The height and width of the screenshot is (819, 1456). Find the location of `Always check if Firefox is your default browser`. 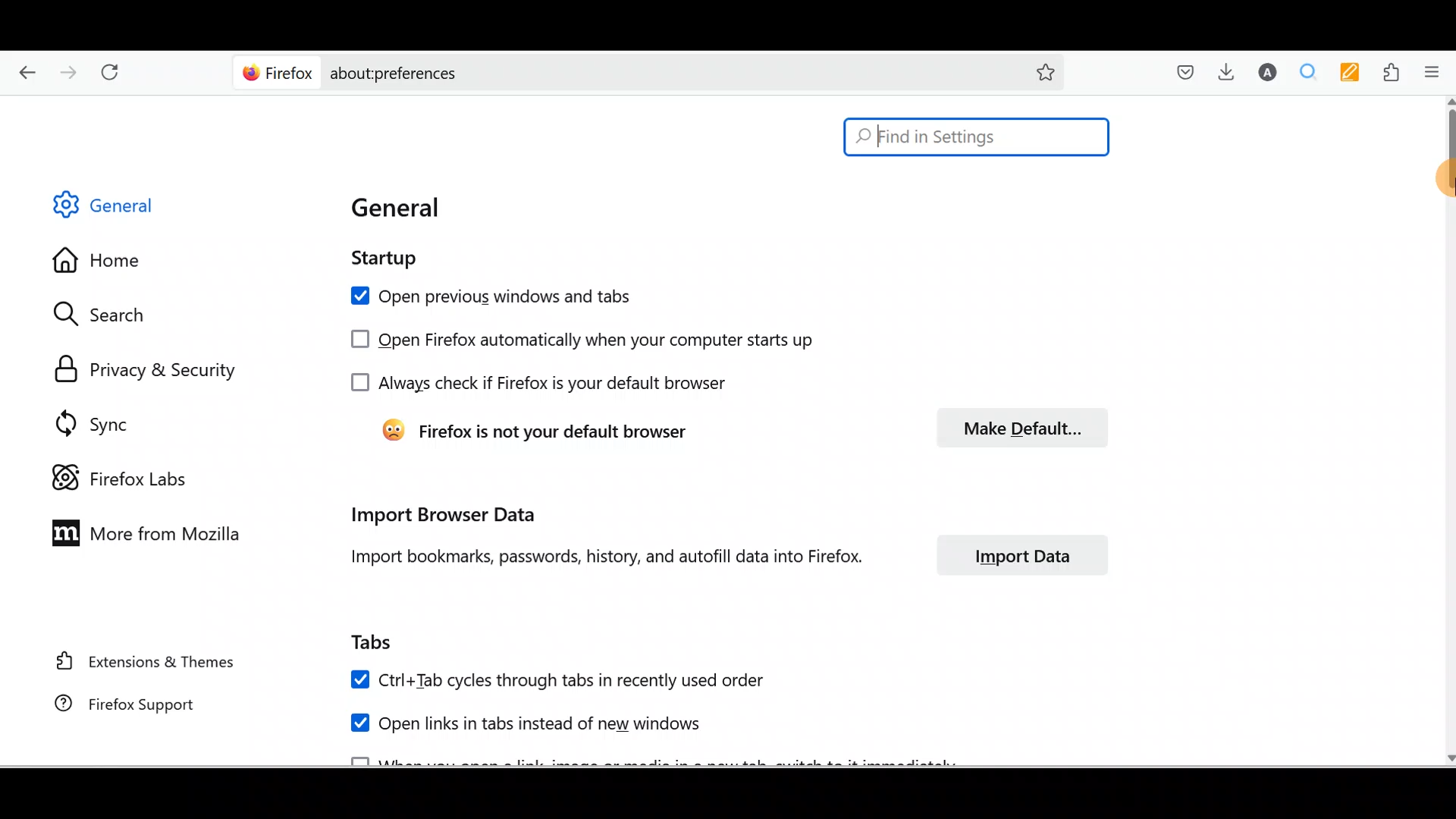

Always check if Firefox is your default browser is located at coordinates (536, 384).